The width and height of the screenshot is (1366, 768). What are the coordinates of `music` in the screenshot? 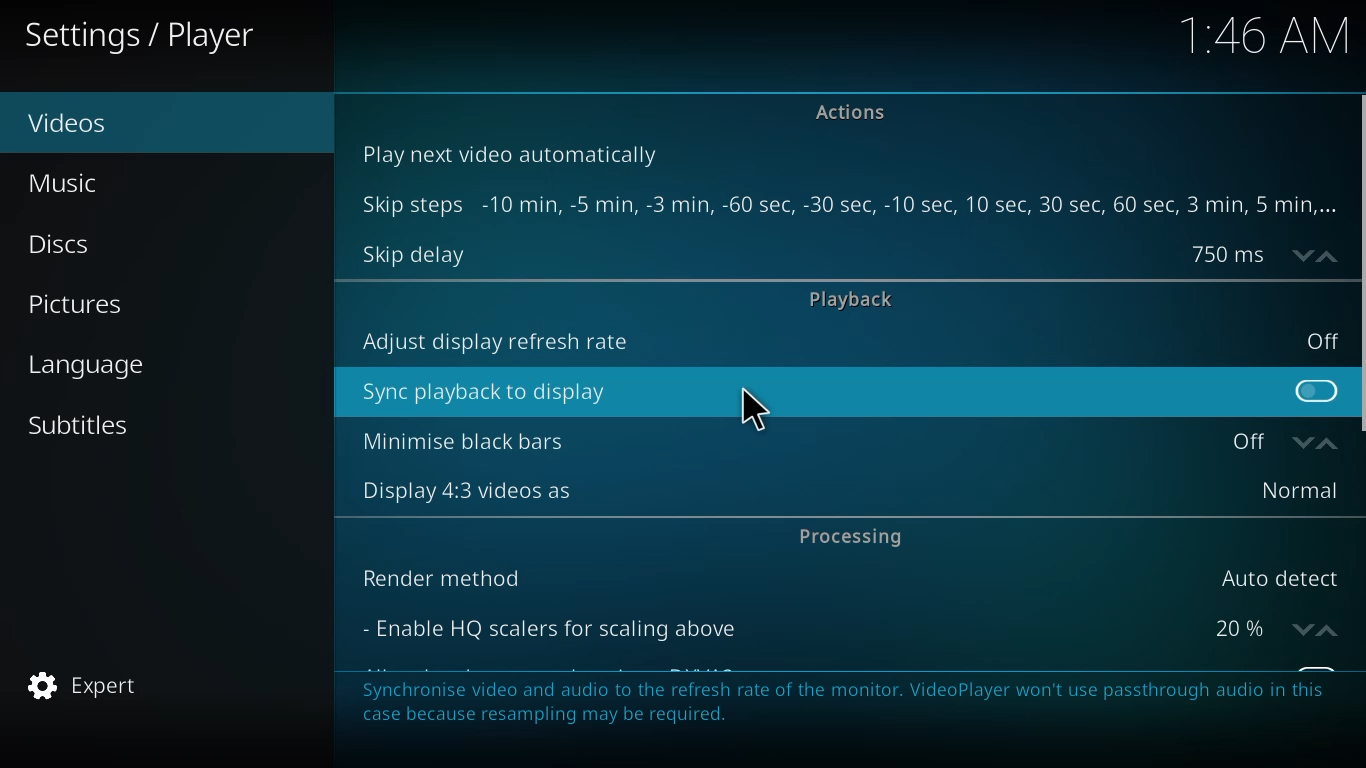 It's located at (76, 182).